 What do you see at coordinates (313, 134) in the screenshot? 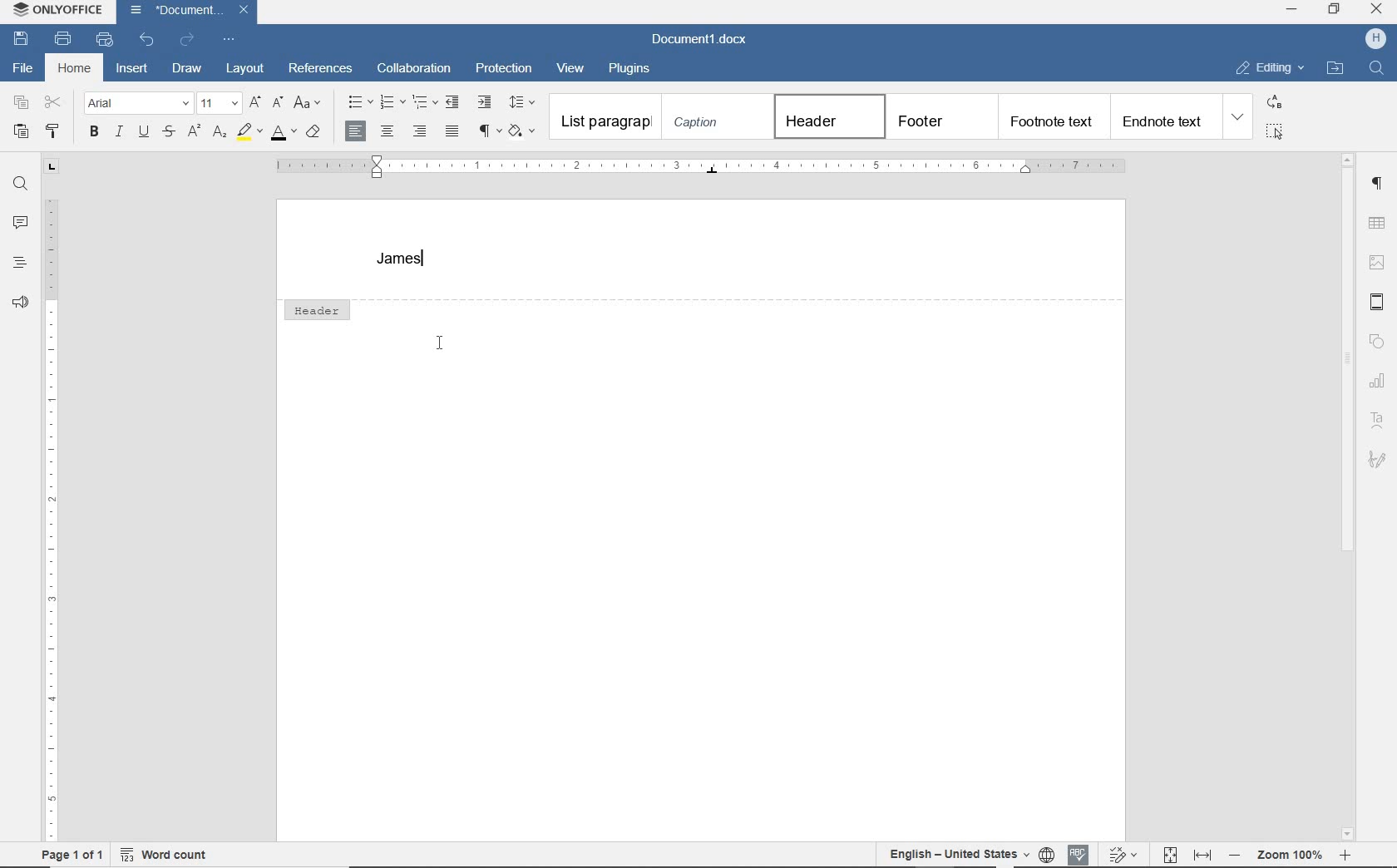
I see `clear style` at bounding box center [313, 134].